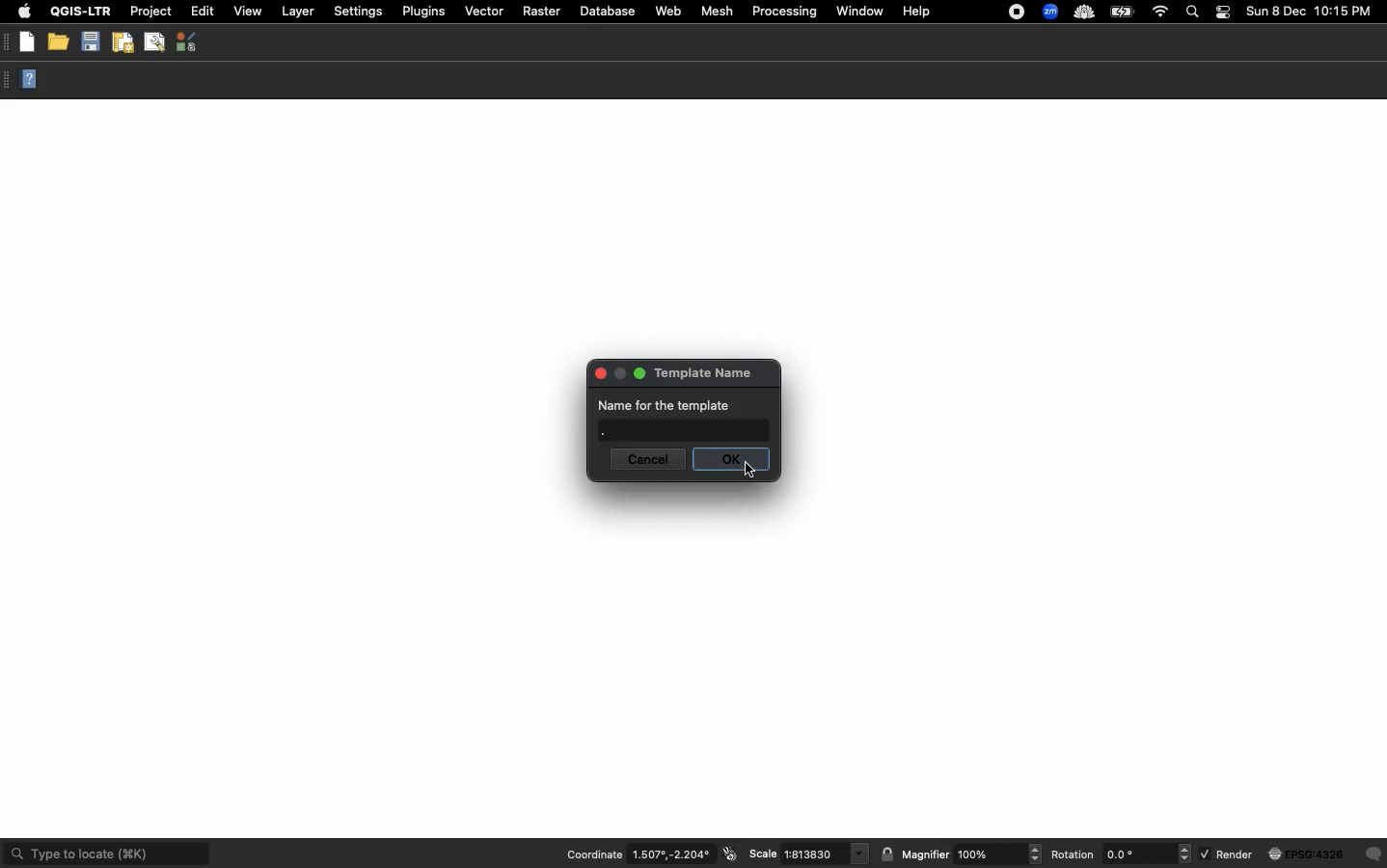  I want to click on cursor, so click(750, 474).